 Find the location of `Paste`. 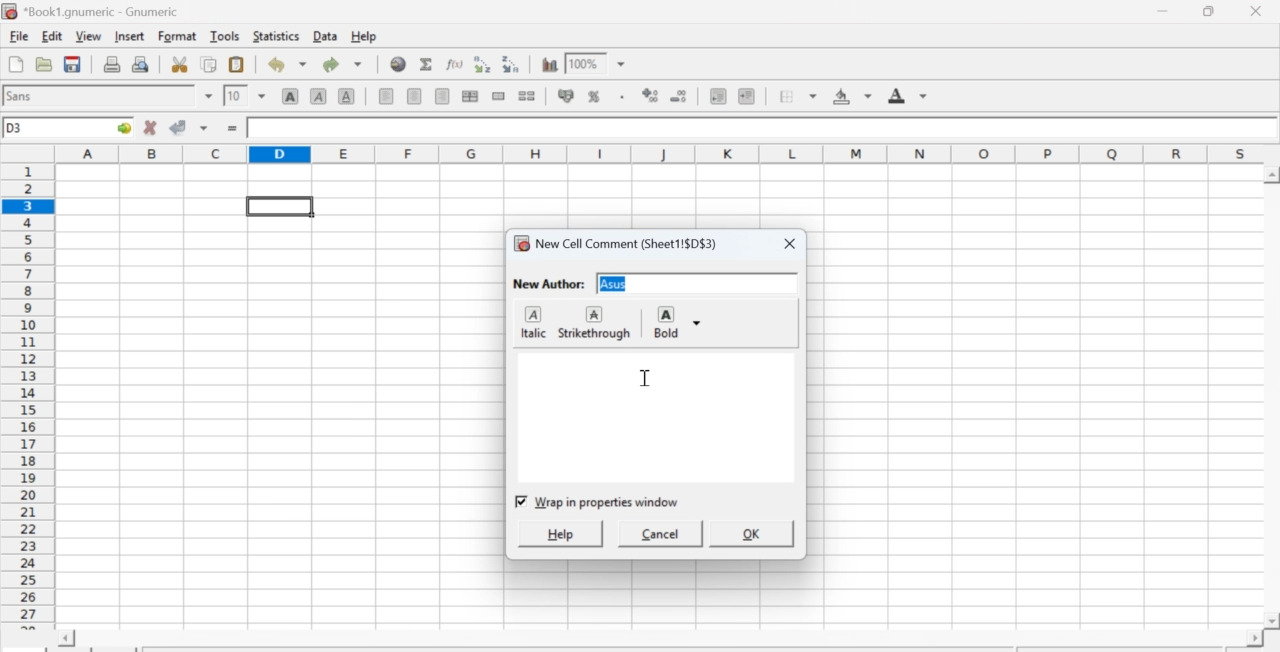

Paste is located at coordinates (237, 66).